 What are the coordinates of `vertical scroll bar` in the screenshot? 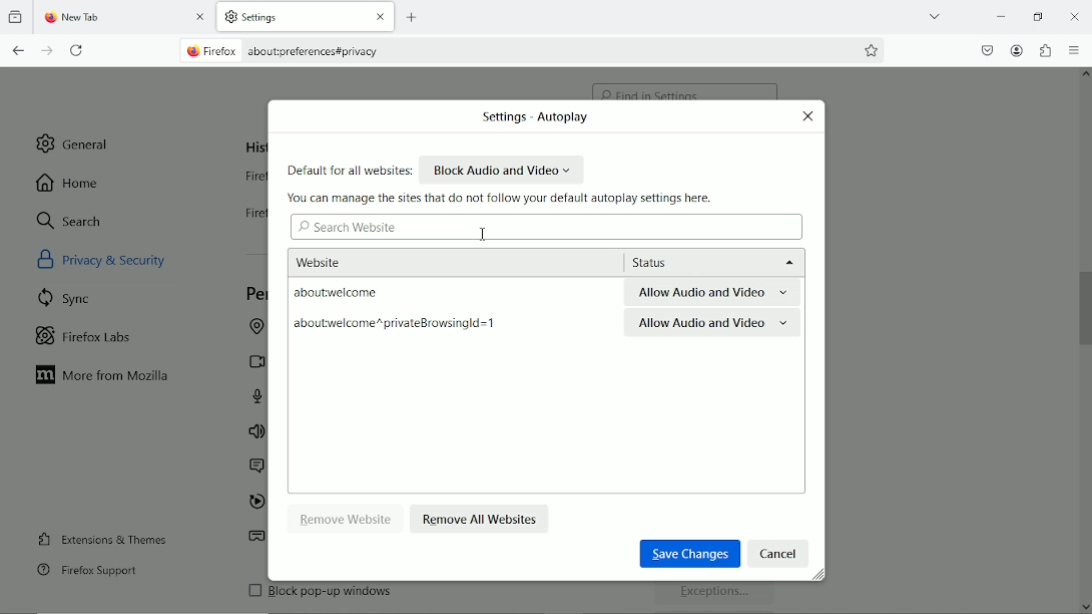 It's located at (1085, 305).